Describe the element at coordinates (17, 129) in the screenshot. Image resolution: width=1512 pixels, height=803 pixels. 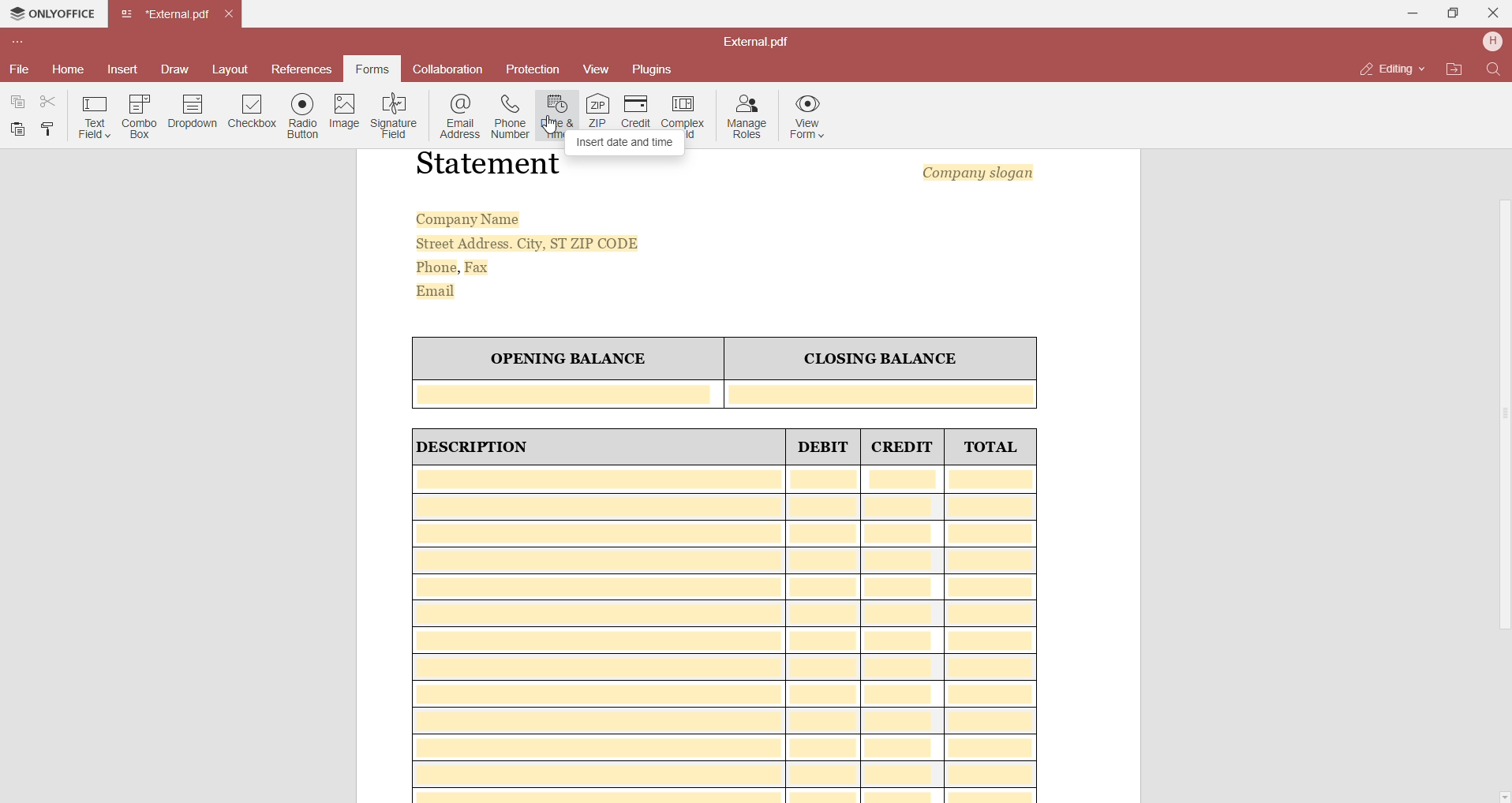
I see `Paste` at that location.